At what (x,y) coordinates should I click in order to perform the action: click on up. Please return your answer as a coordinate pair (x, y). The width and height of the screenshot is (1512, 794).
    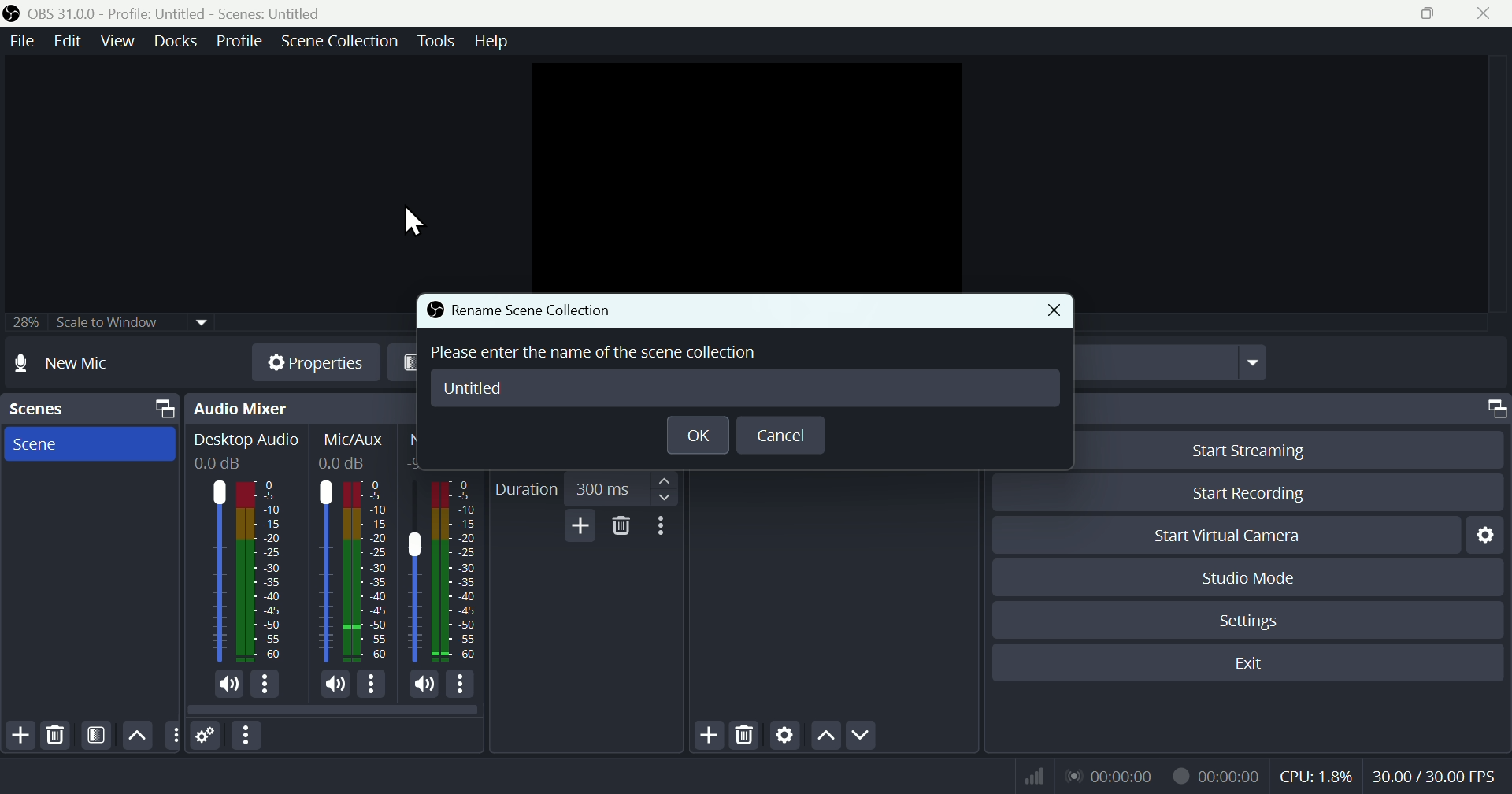
    Looking at the image, I should click on (136, 733).